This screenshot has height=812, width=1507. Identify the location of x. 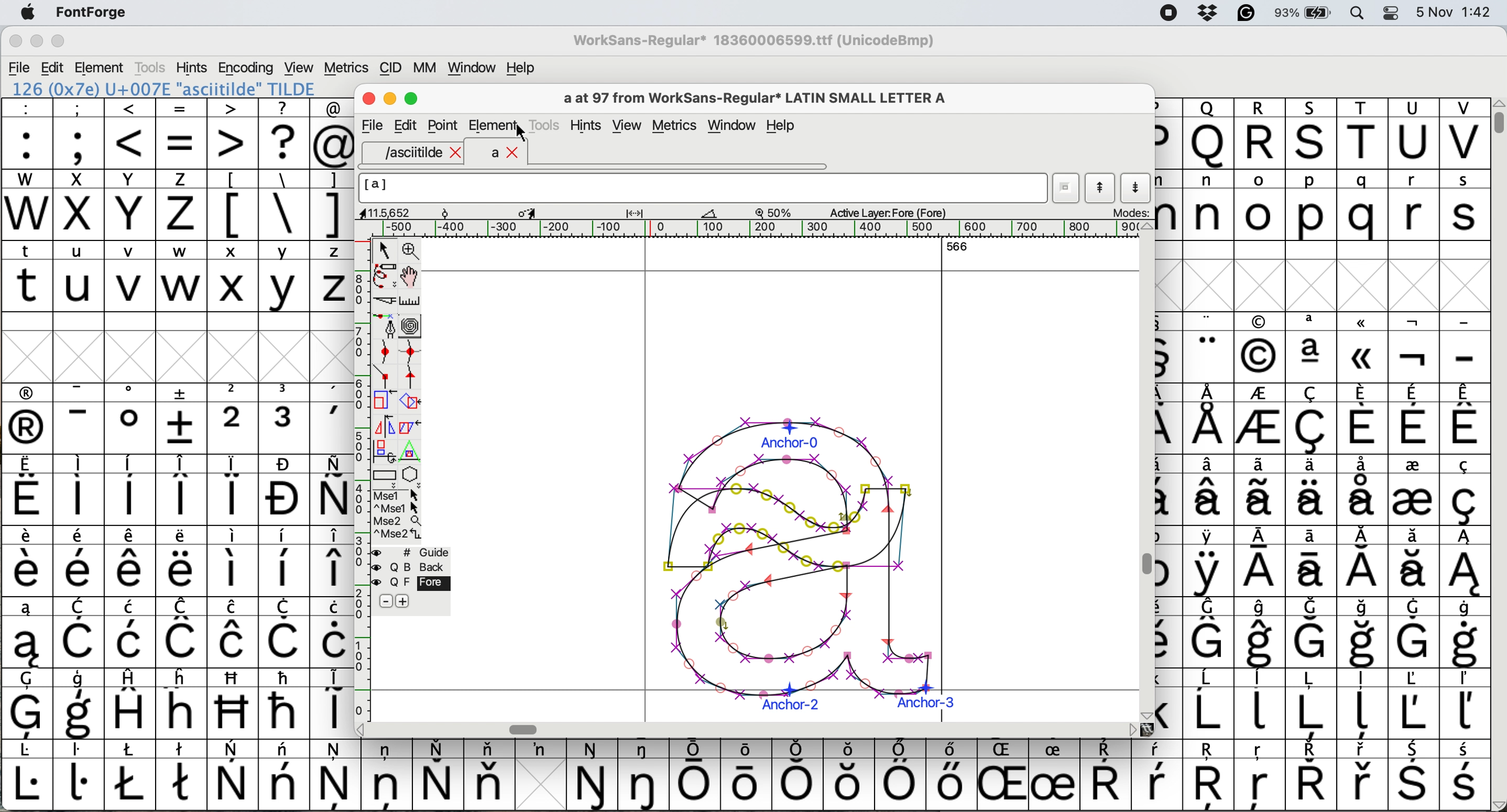
(78, 205).